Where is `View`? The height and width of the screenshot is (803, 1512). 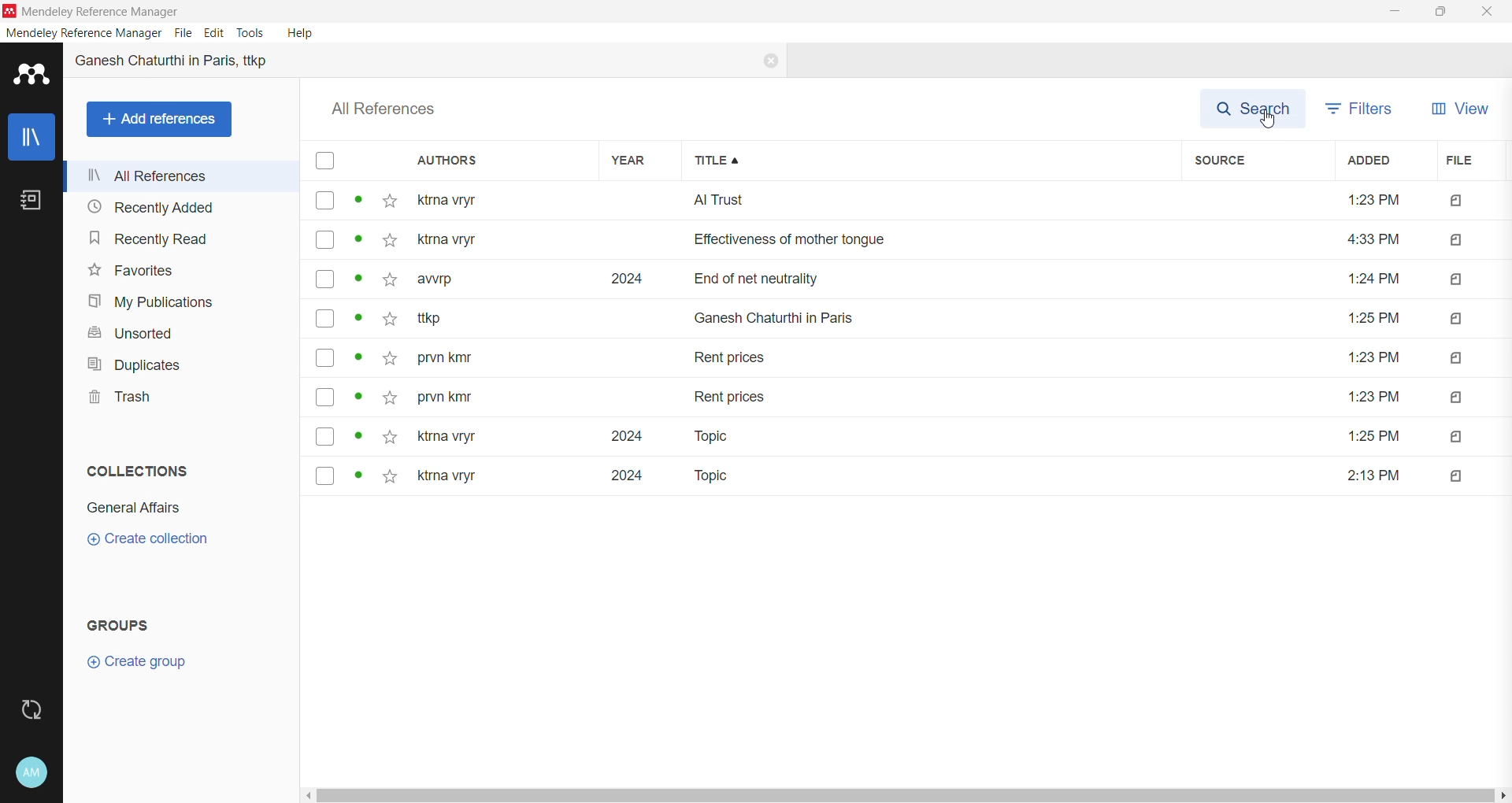 View is located at coordinates (1458, 111).